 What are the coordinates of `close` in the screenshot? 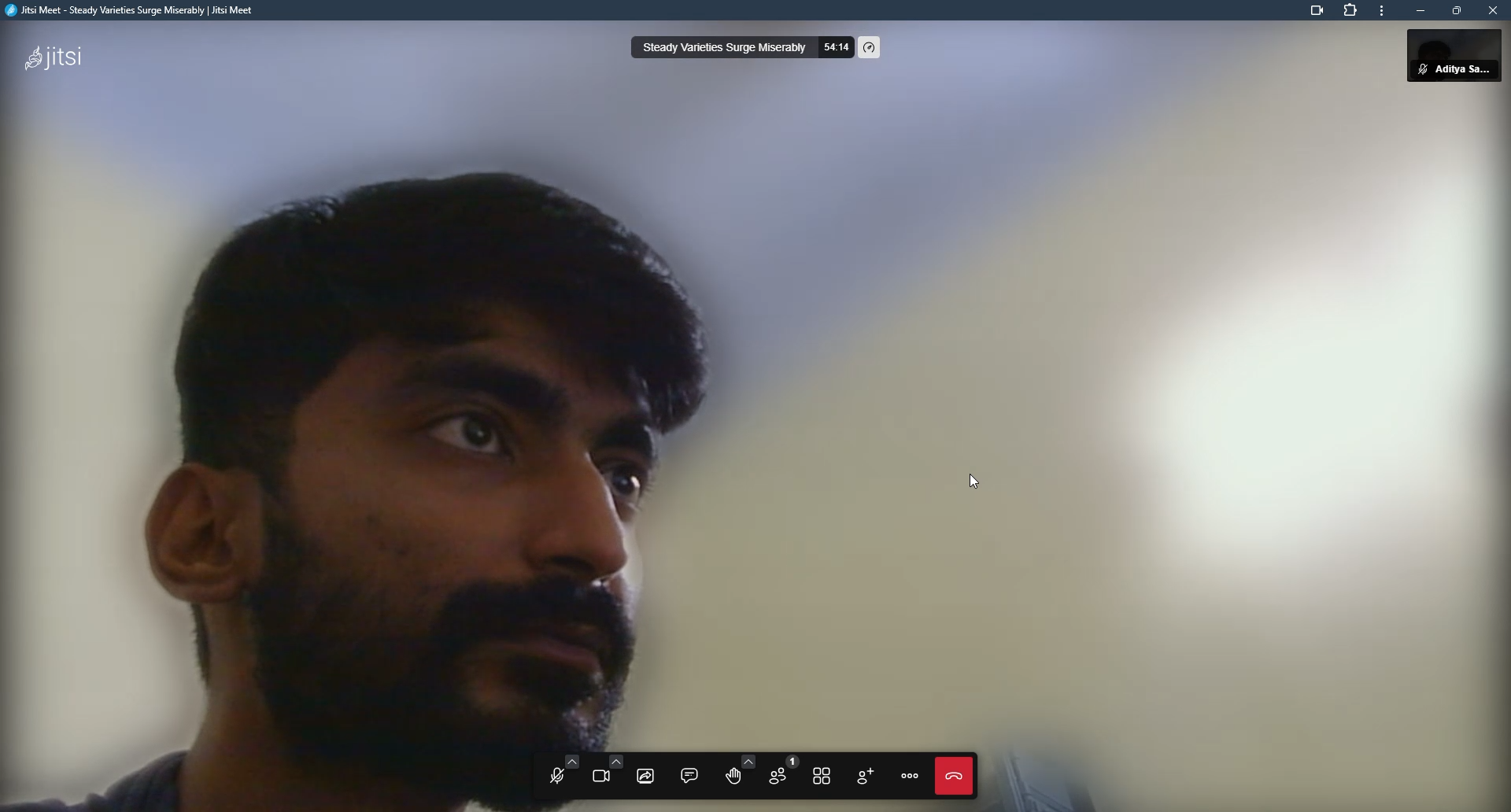 It's located at (1492, 10).